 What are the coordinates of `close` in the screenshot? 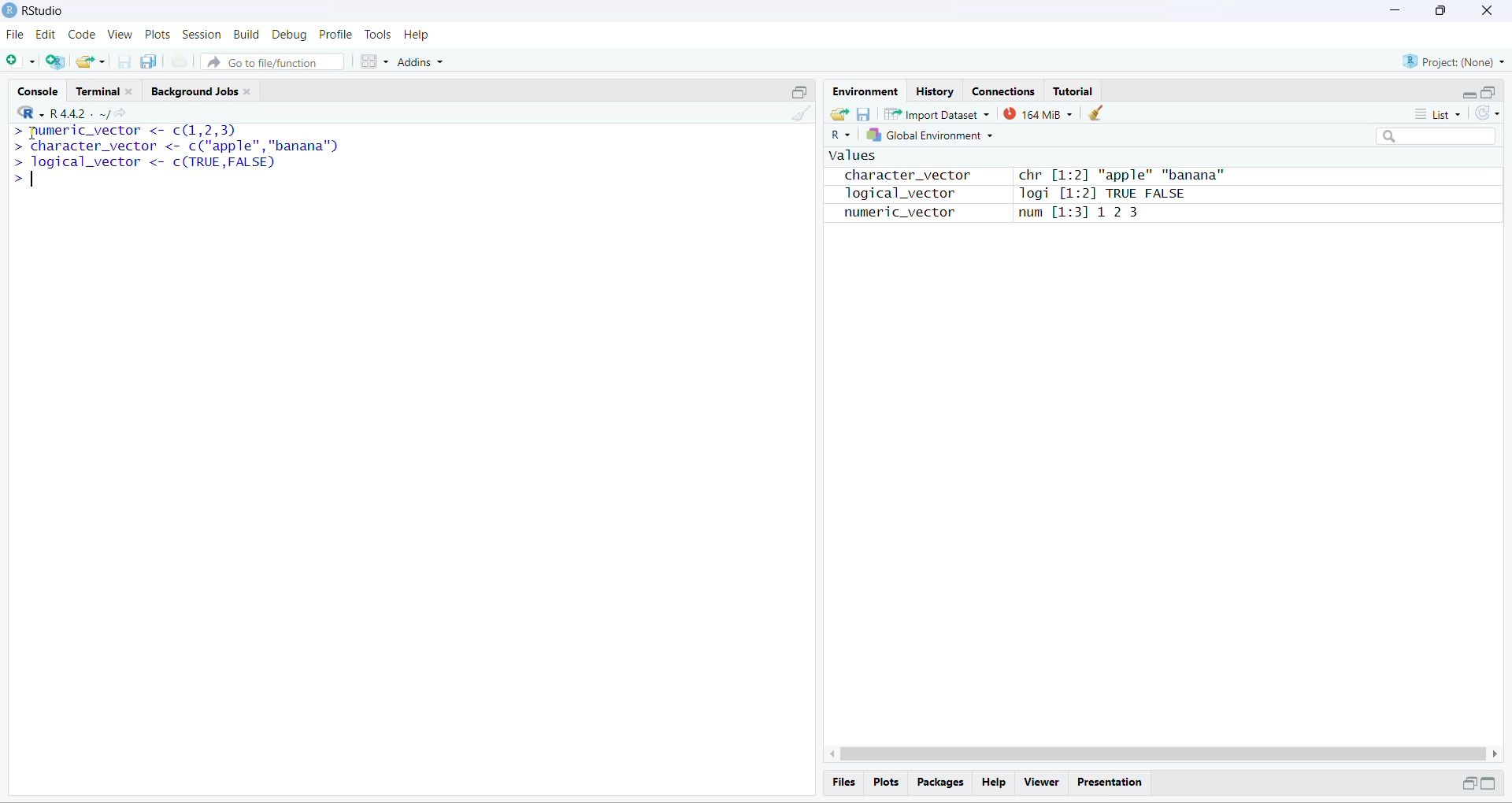 It's located at (1485, 10).